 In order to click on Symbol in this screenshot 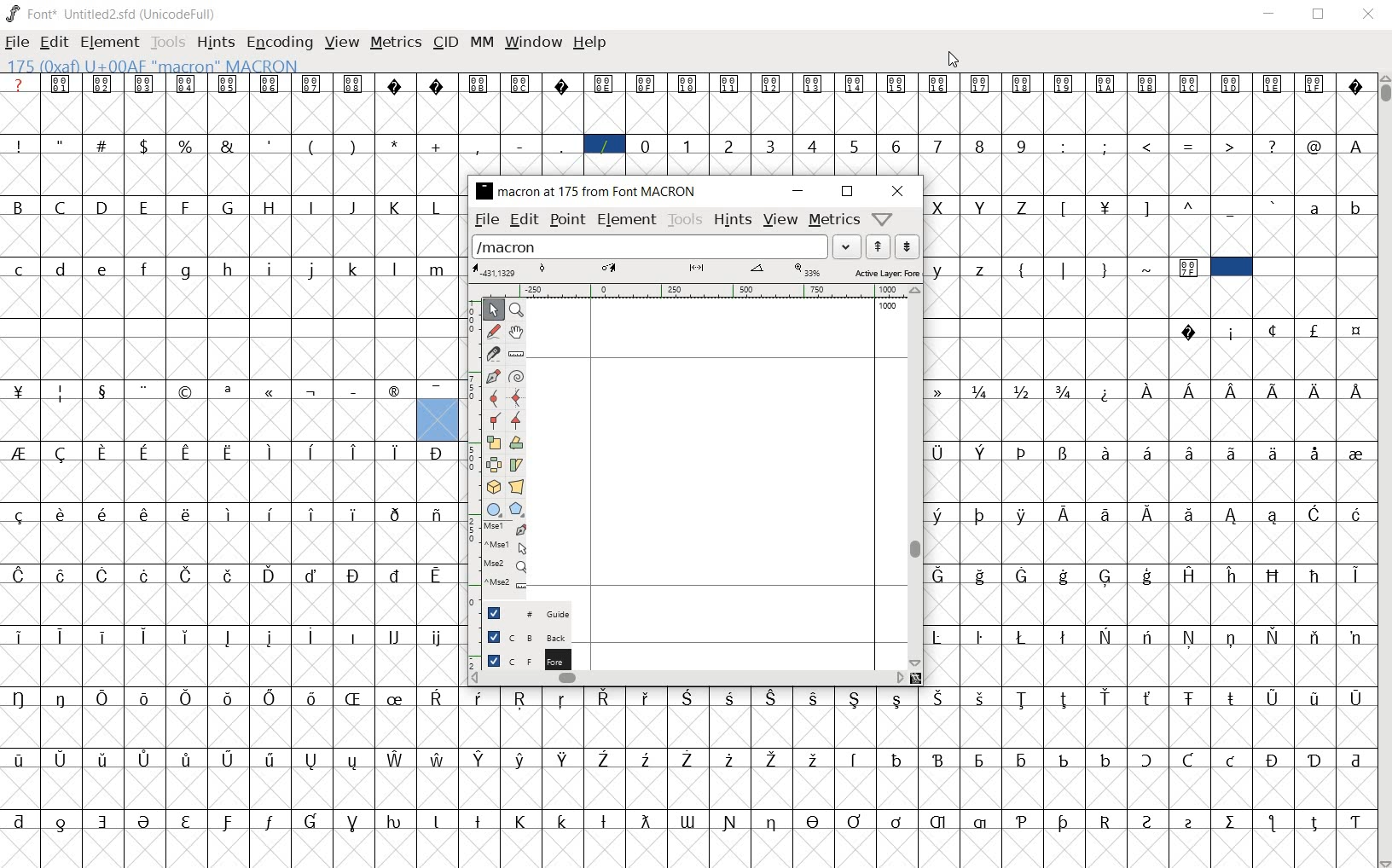, I will do `click(1230, 574)`.